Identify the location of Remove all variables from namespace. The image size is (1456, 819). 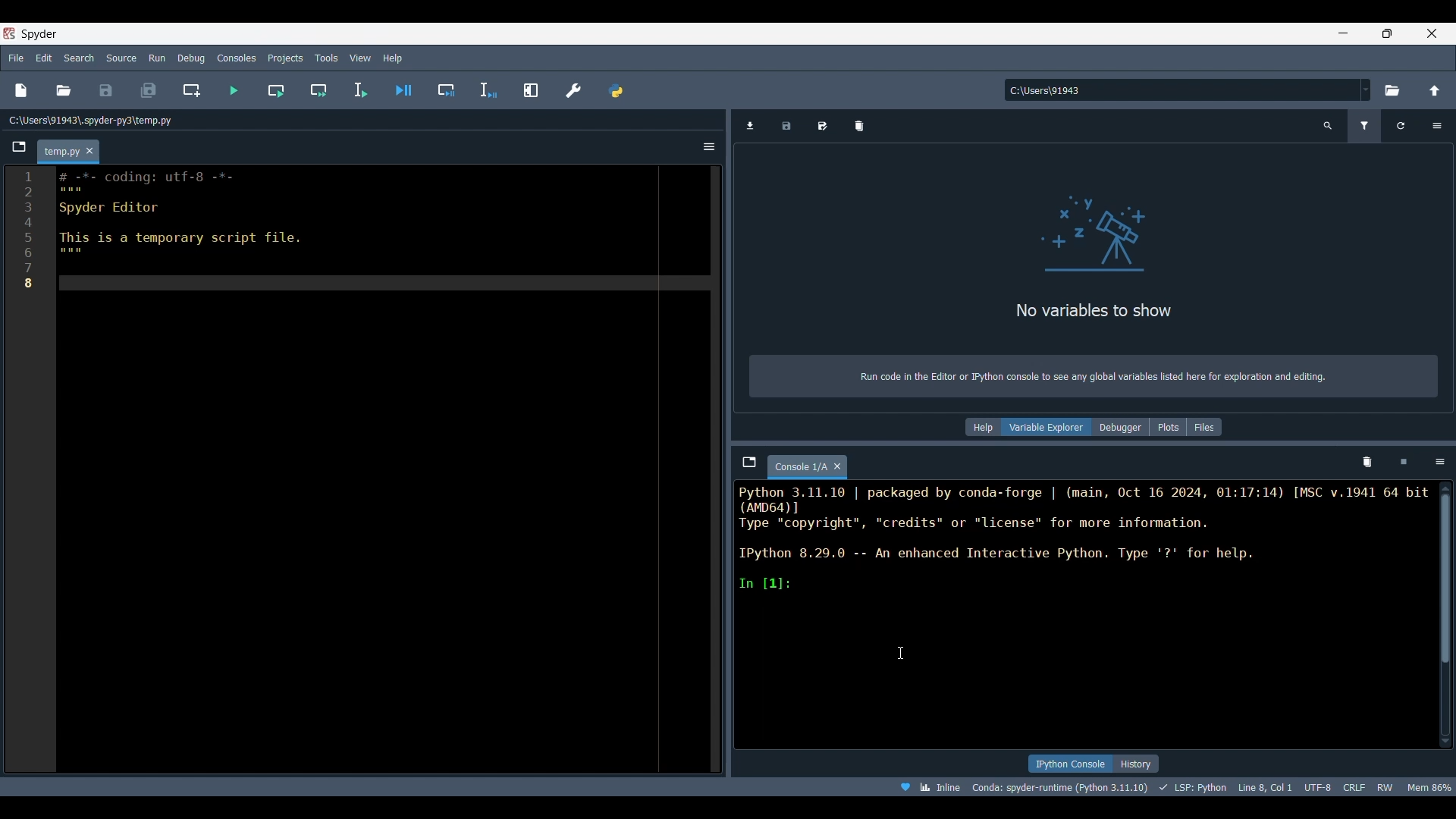
(1367, 463).